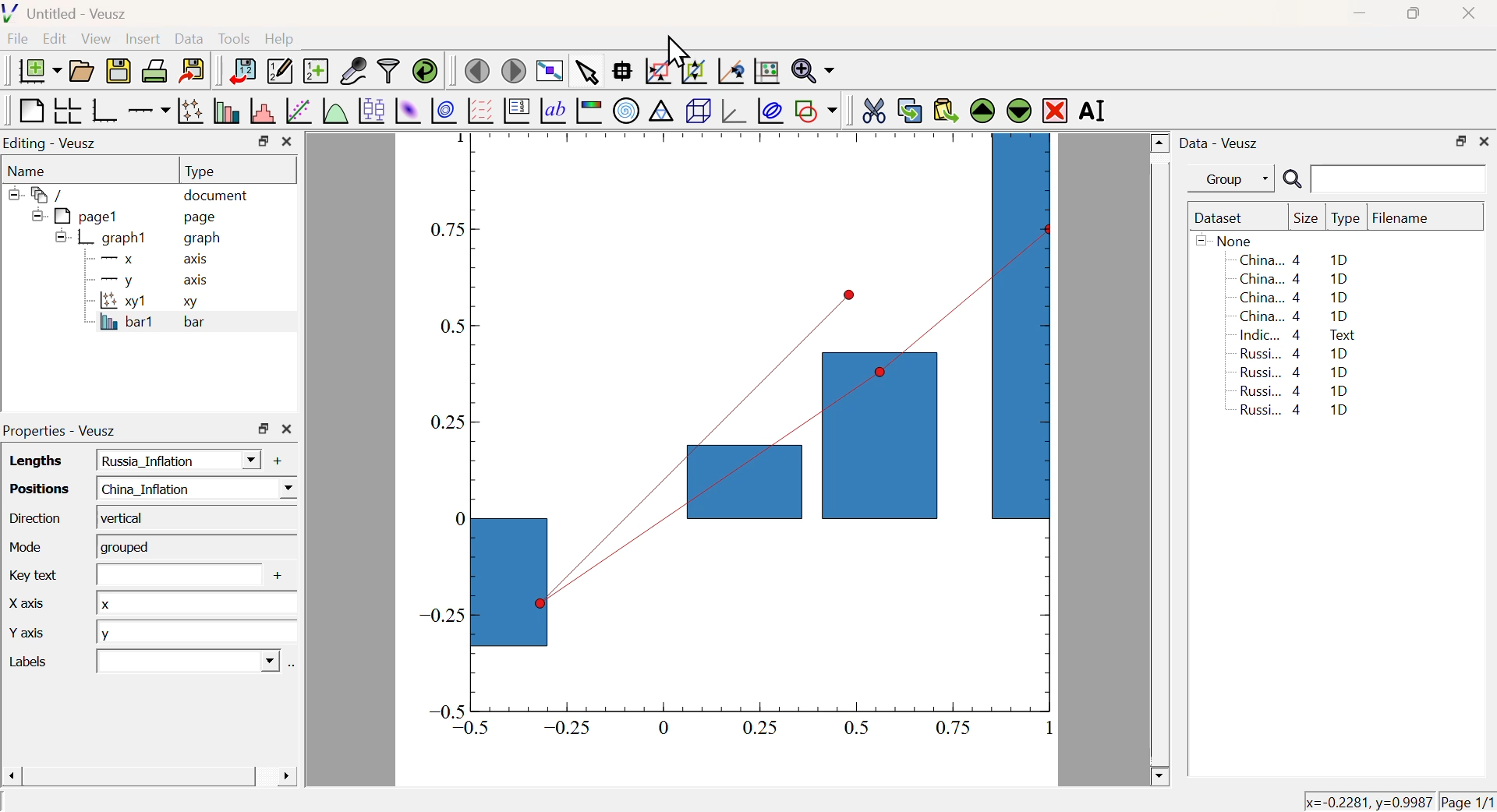 The height and width of the screenshot is (812, 1497). I want to click on Plot bar charts, so click(226, 111).